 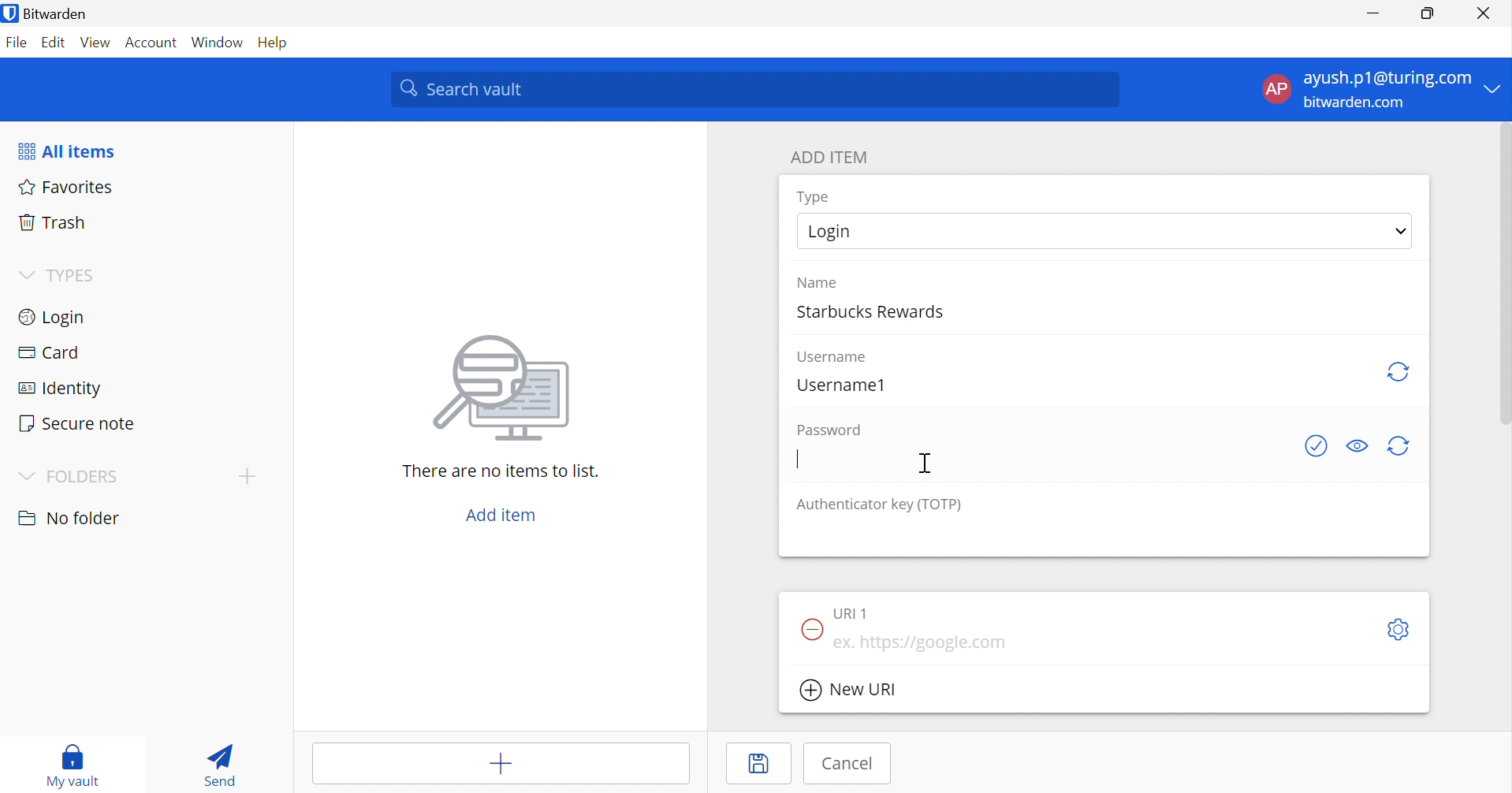 What do you see at coordinates (1496, 87) in the screenshot?
I see `Drop Down` at bounding box center [1496, 87].